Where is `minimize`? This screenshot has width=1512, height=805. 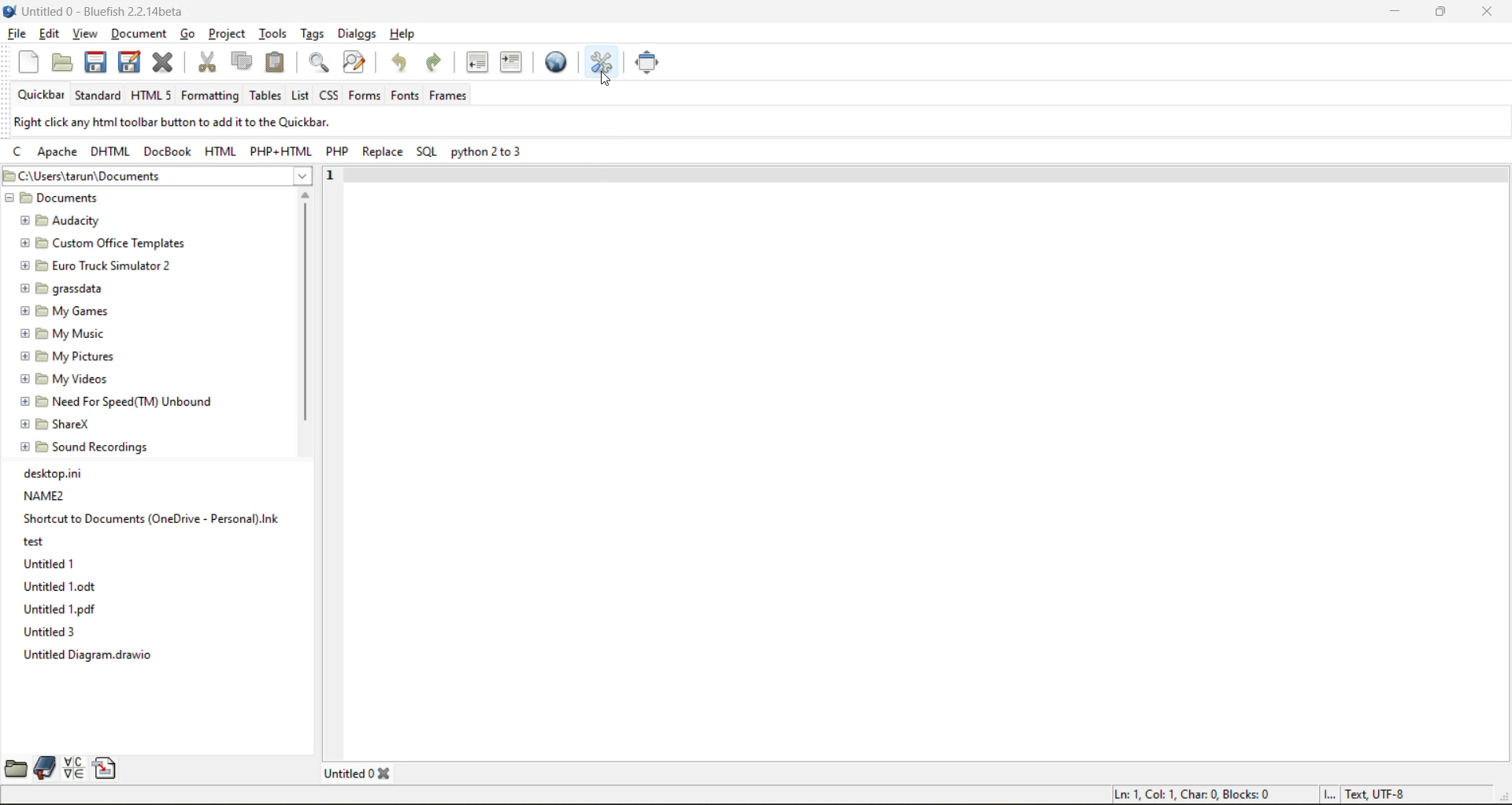
minimize is located at coordinates (1390, 13).